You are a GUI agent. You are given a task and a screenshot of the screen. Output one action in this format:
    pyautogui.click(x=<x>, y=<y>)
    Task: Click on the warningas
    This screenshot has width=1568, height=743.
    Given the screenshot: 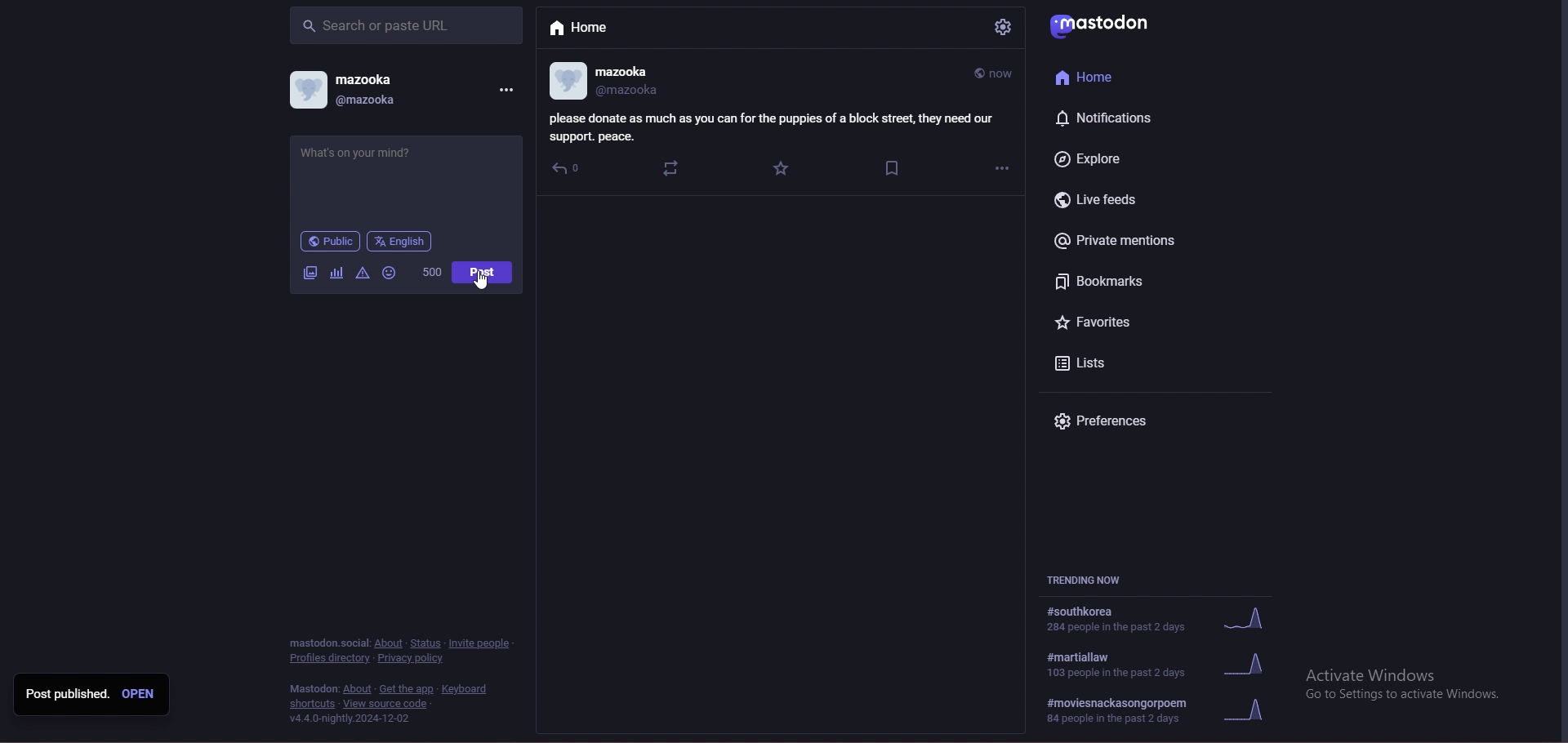 What is the action you would take?
    pyautogui.click(x=363, y=274)
    